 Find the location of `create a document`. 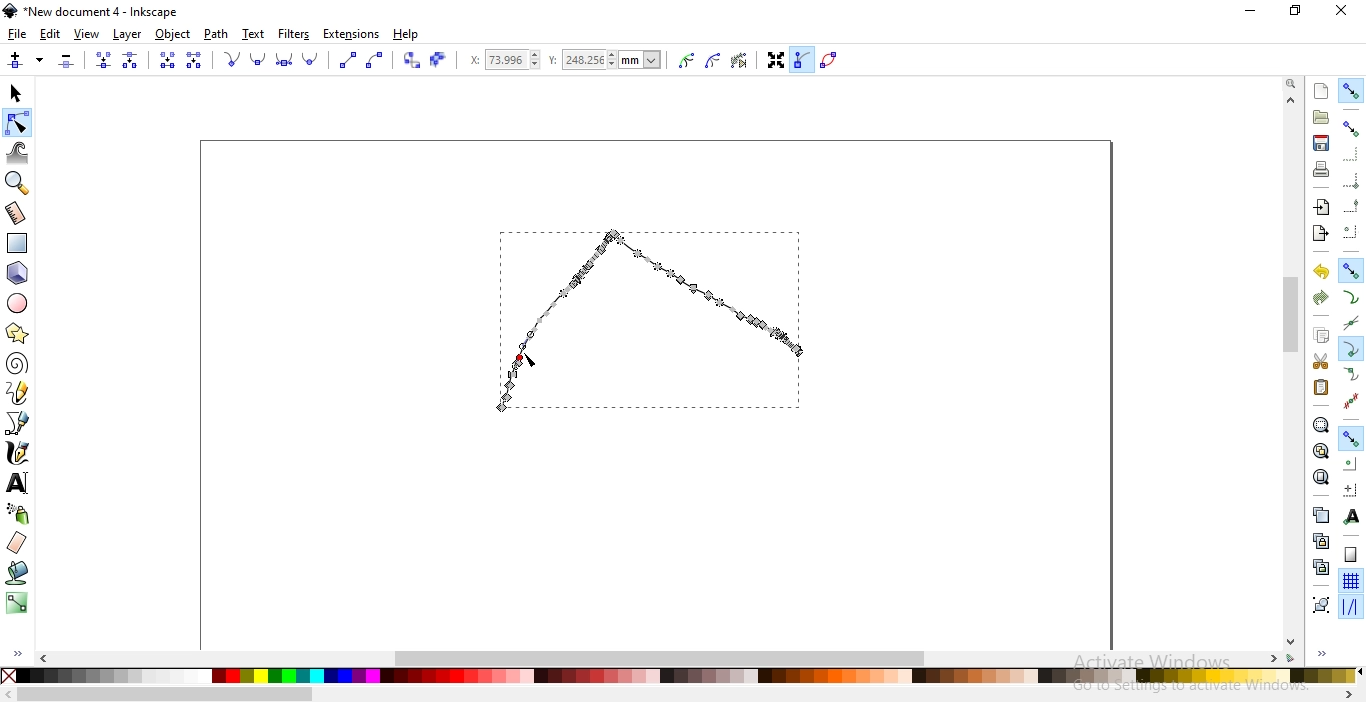

create a document is located at coordinates (1322, 91).